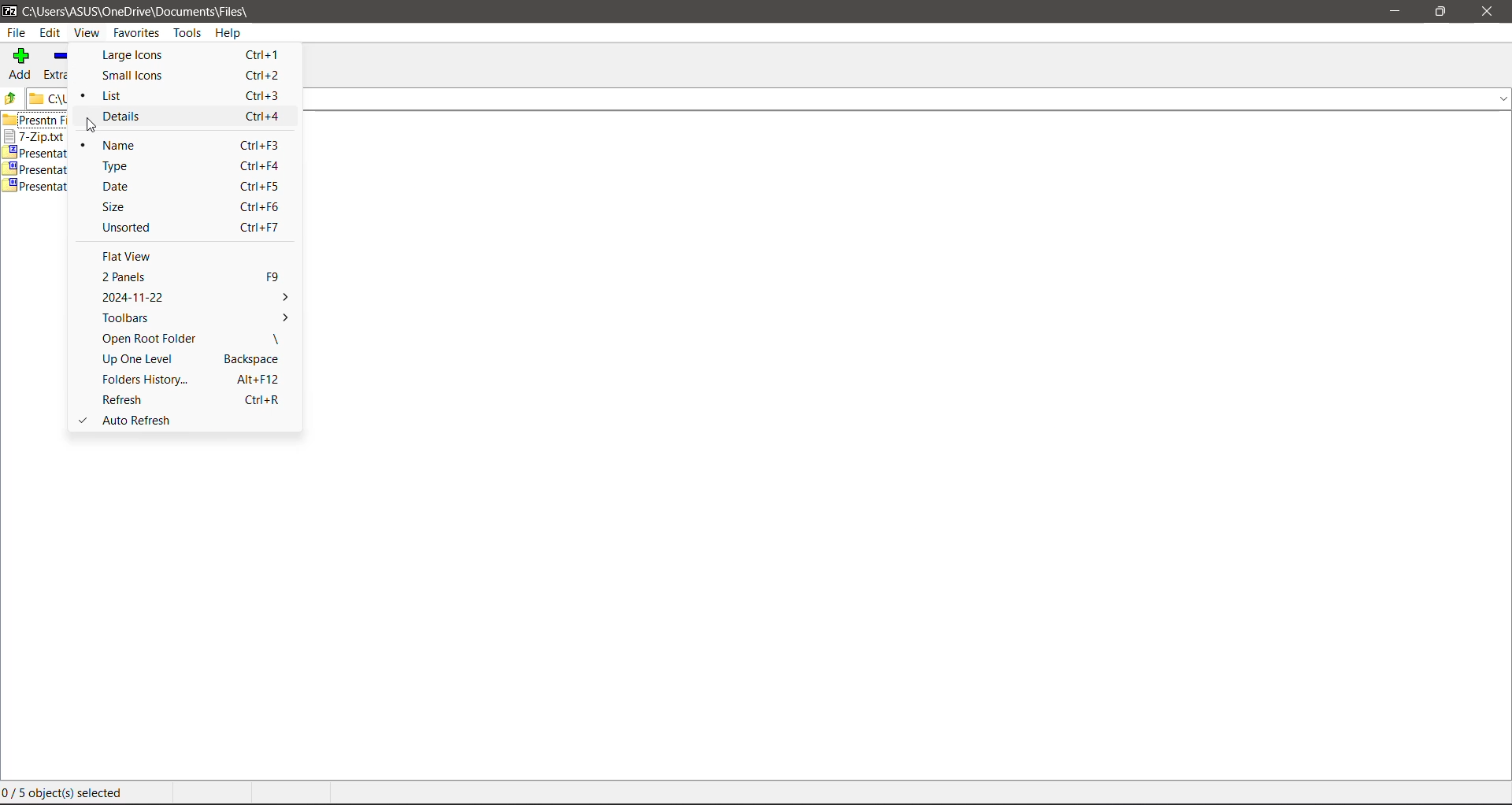  I want to click on Large Icons, so click(185, 54).